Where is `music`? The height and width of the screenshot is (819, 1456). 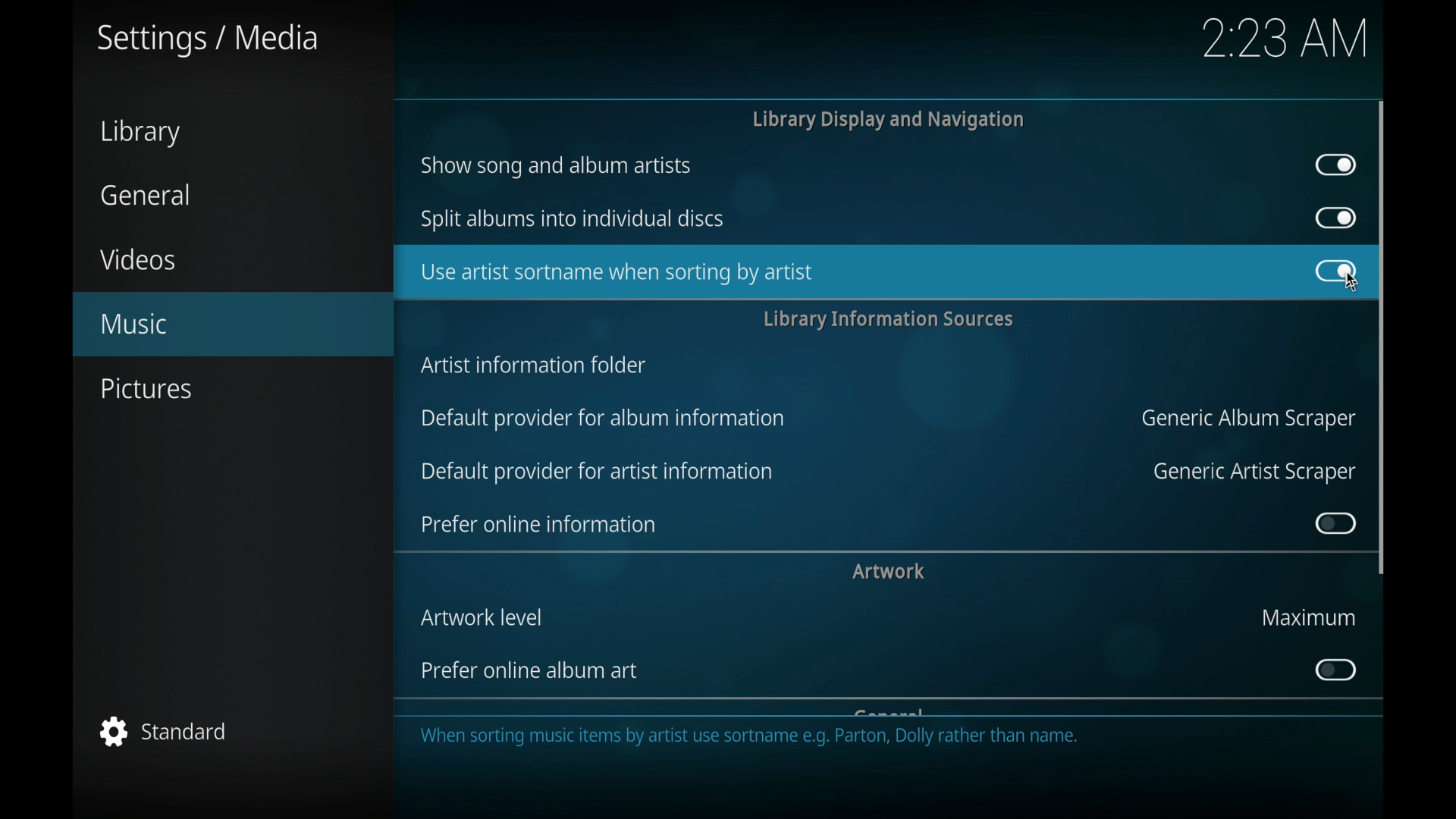
music is located at coordinates (234, 323).